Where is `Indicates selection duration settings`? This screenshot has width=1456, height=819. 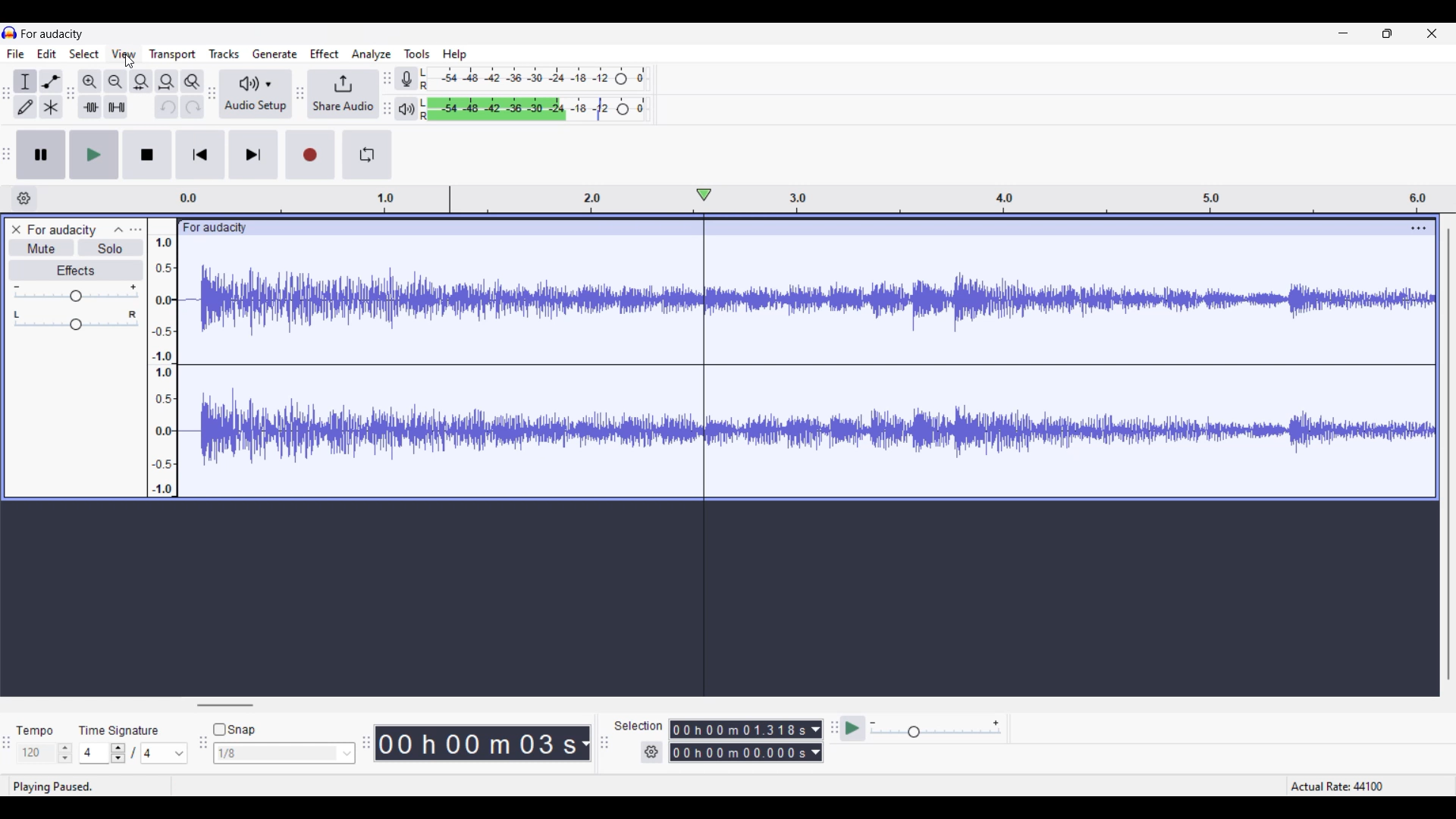 Indicates selection duration settings is located at coordinates (638, 725).